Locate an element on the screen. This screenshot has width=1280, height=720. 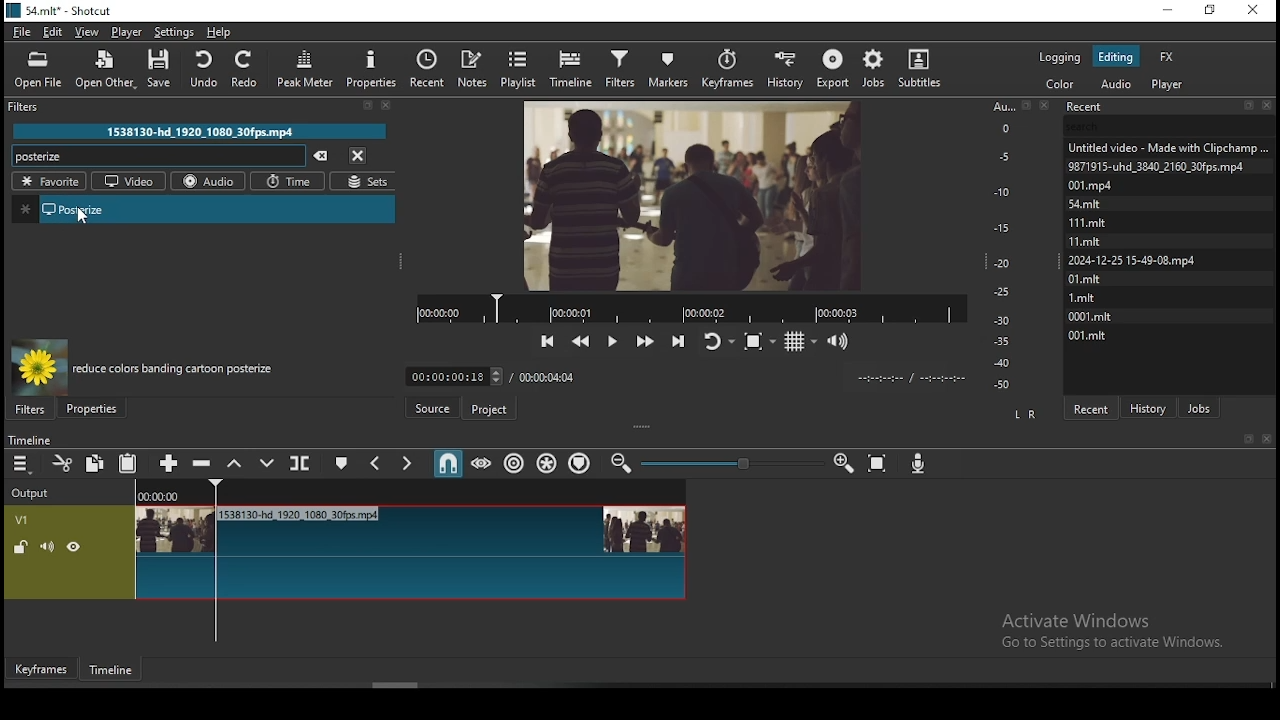
audio is located at coordinates (1171, 85).